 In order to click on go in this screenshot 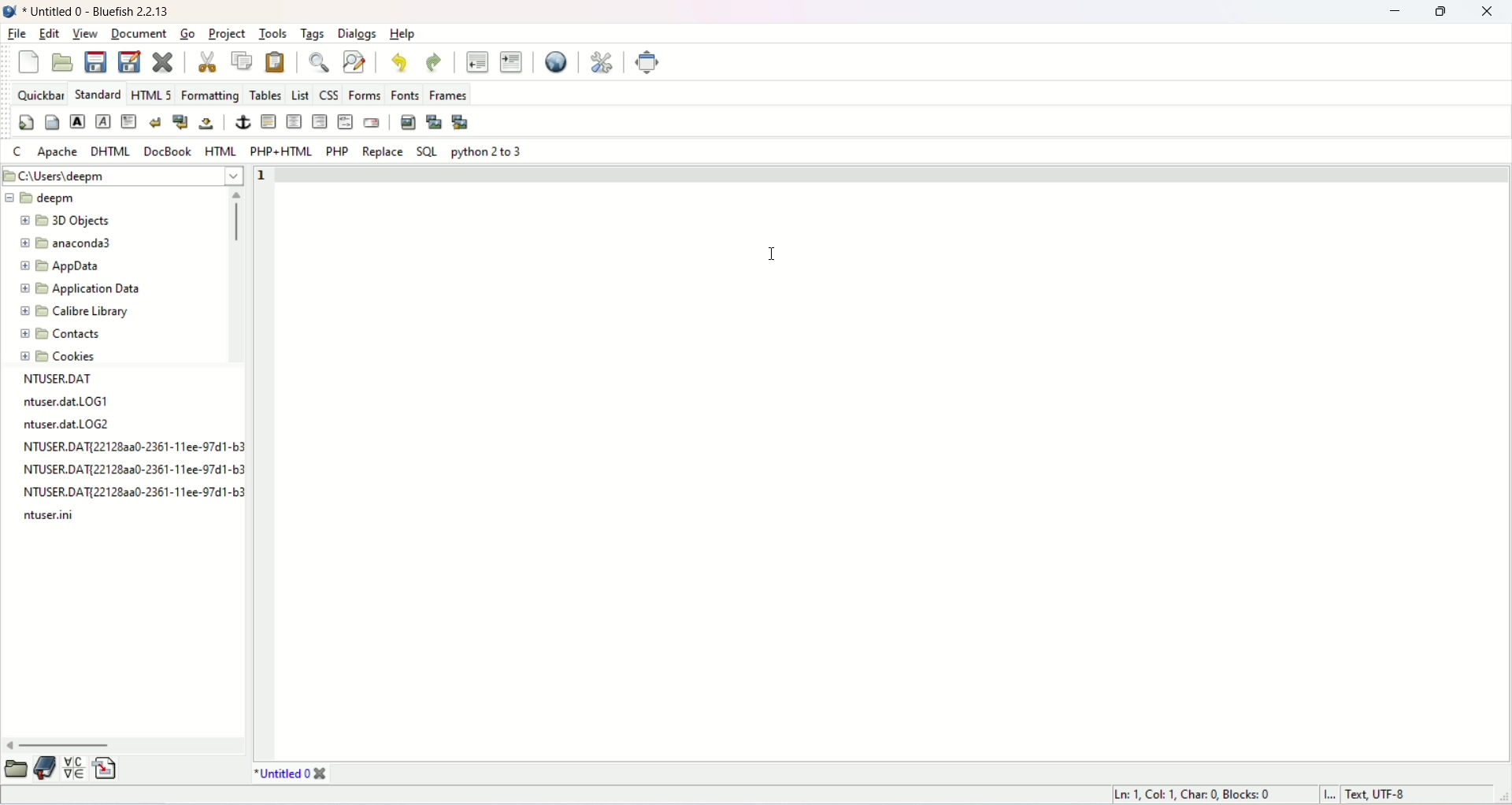, I will do `click(183, 35)`.